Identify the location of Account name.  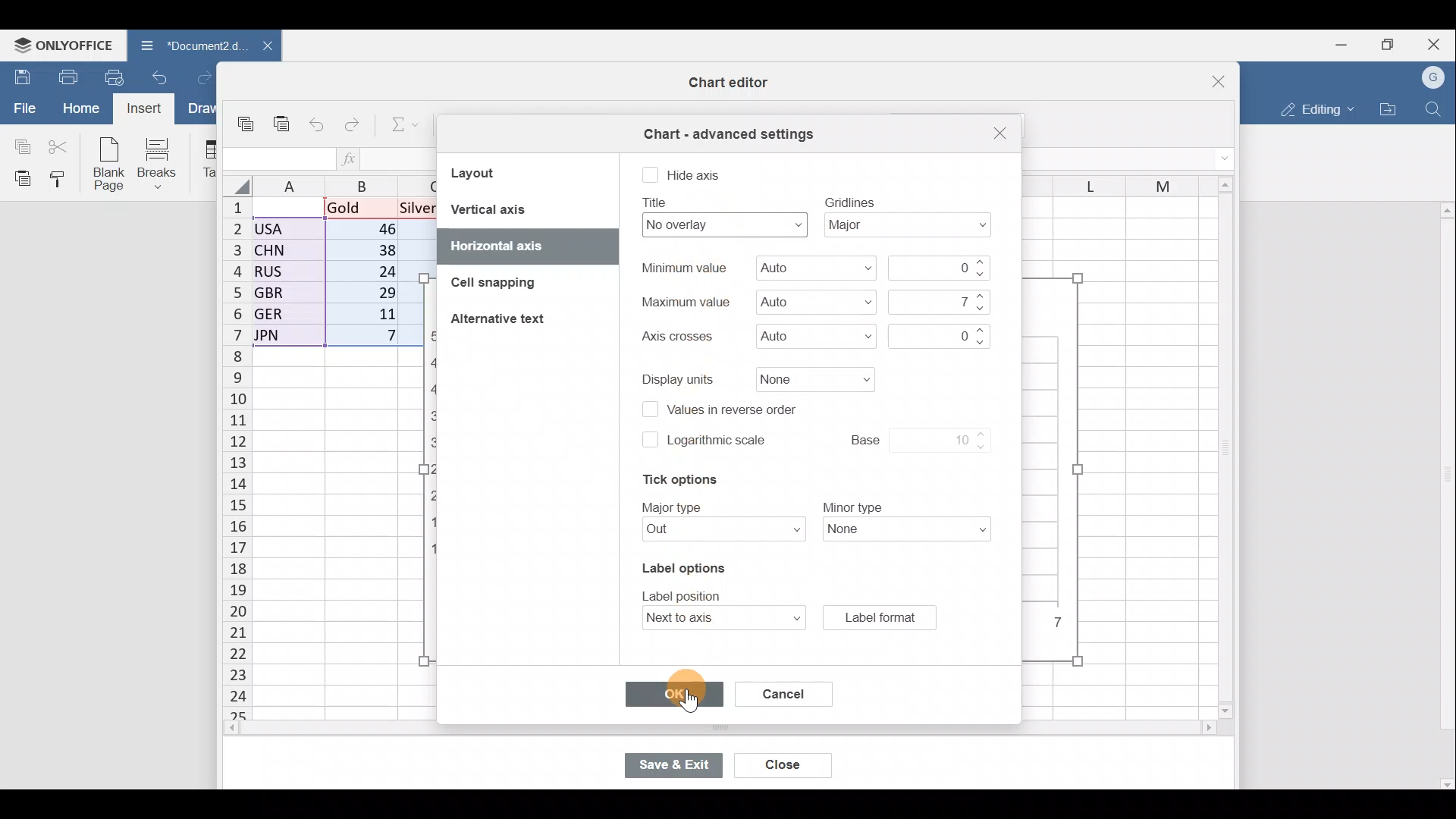
(1435, 76).